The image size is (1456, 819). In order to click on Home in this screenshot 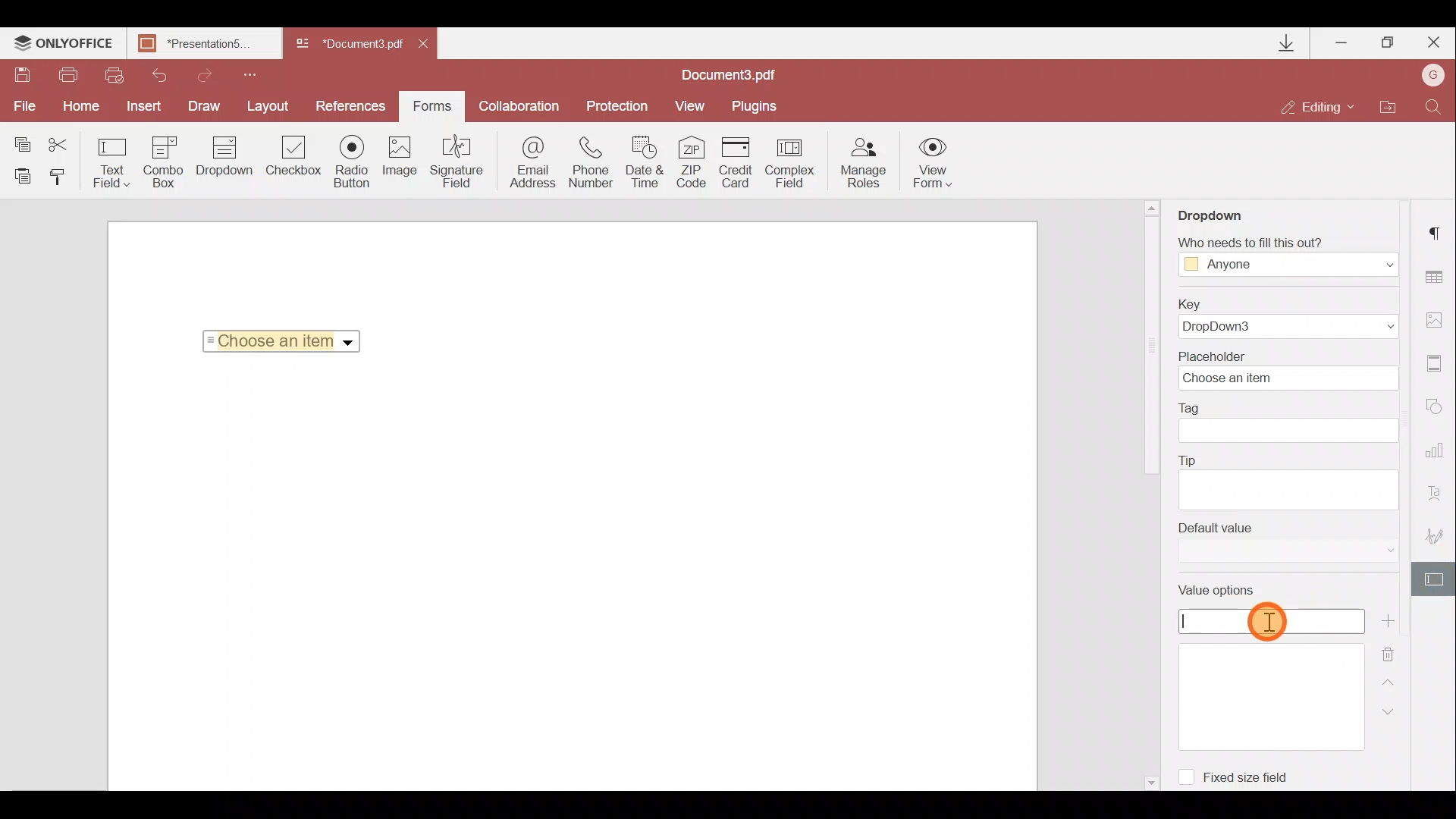, I will do `click(85, 107)`.